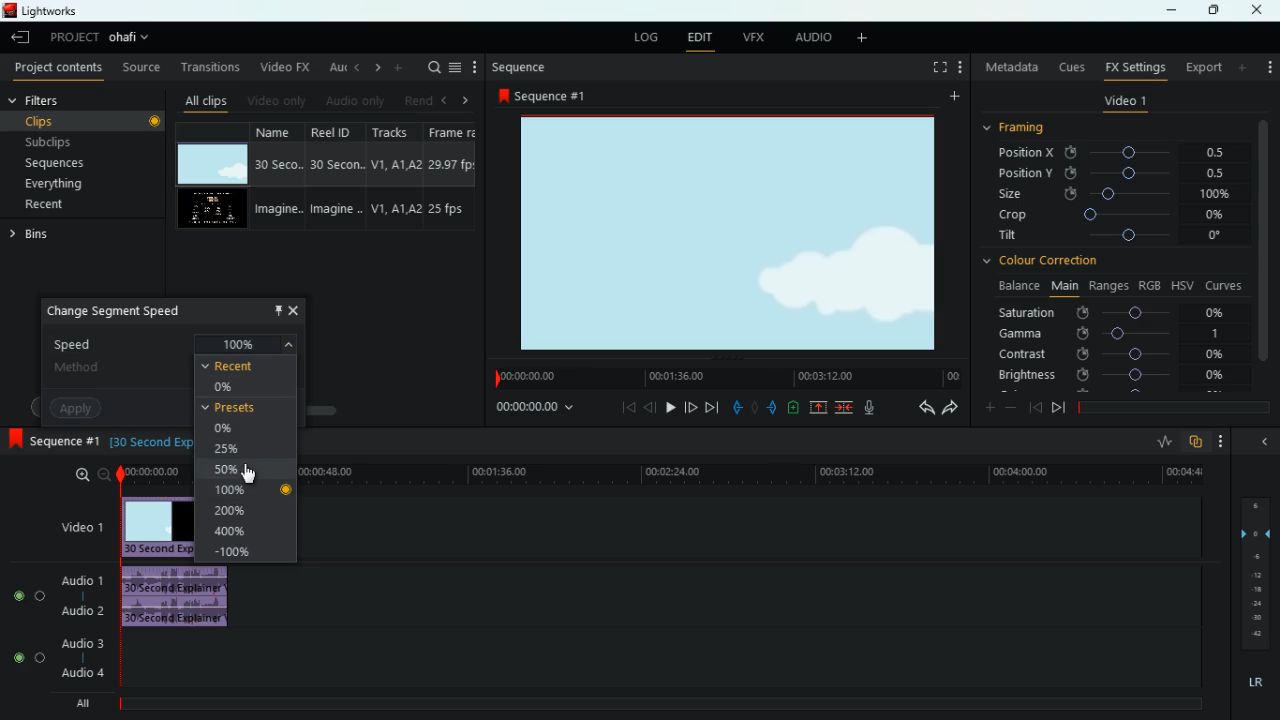 The height and width of the screenshot is (720, 1280). What do you see at coordinates (412, 98) in the screenshot?
I see `rend` at bounding box center [412, 98].